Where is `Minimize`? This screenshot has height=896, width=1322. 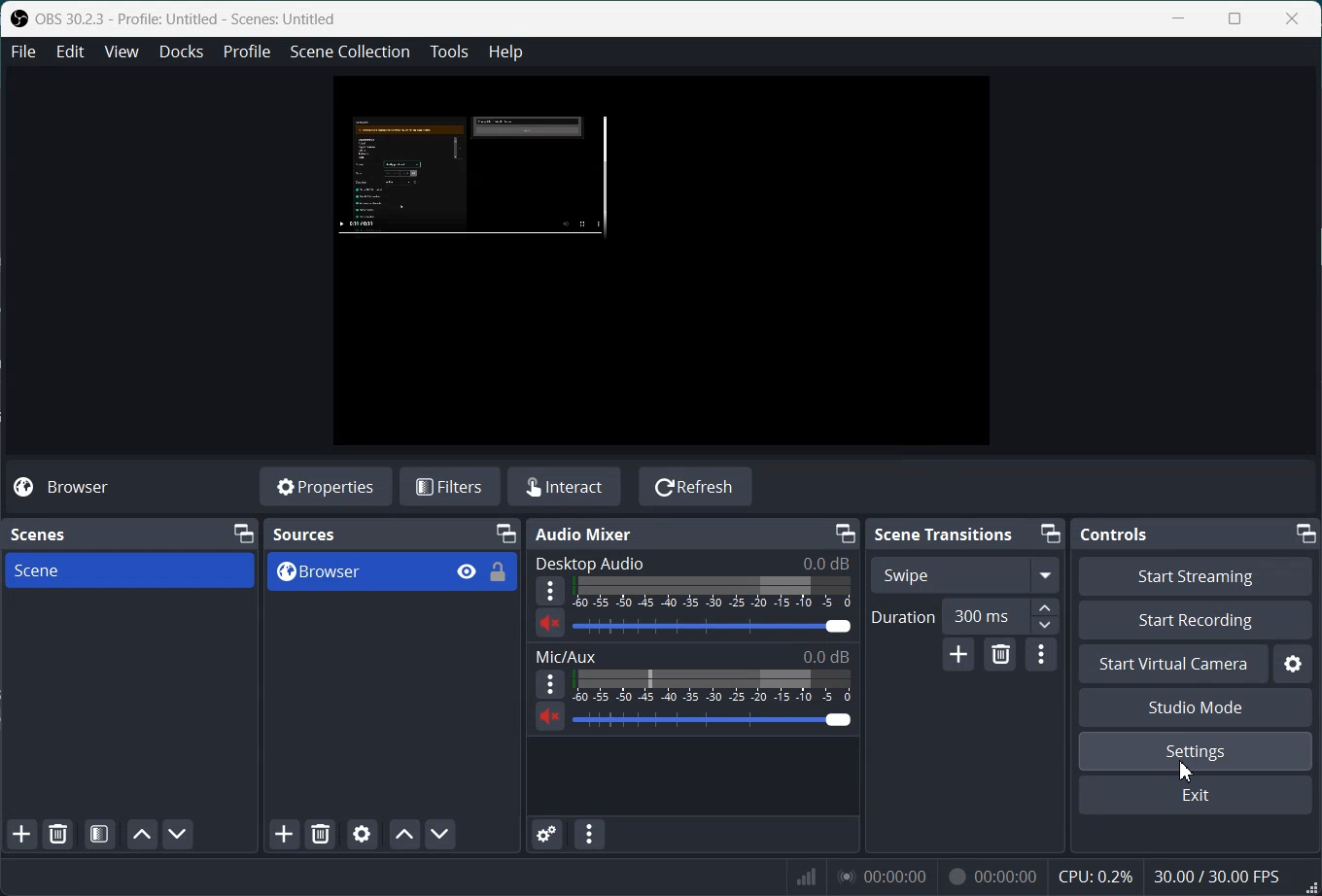 Minimize is located at coordinates (506, 533).